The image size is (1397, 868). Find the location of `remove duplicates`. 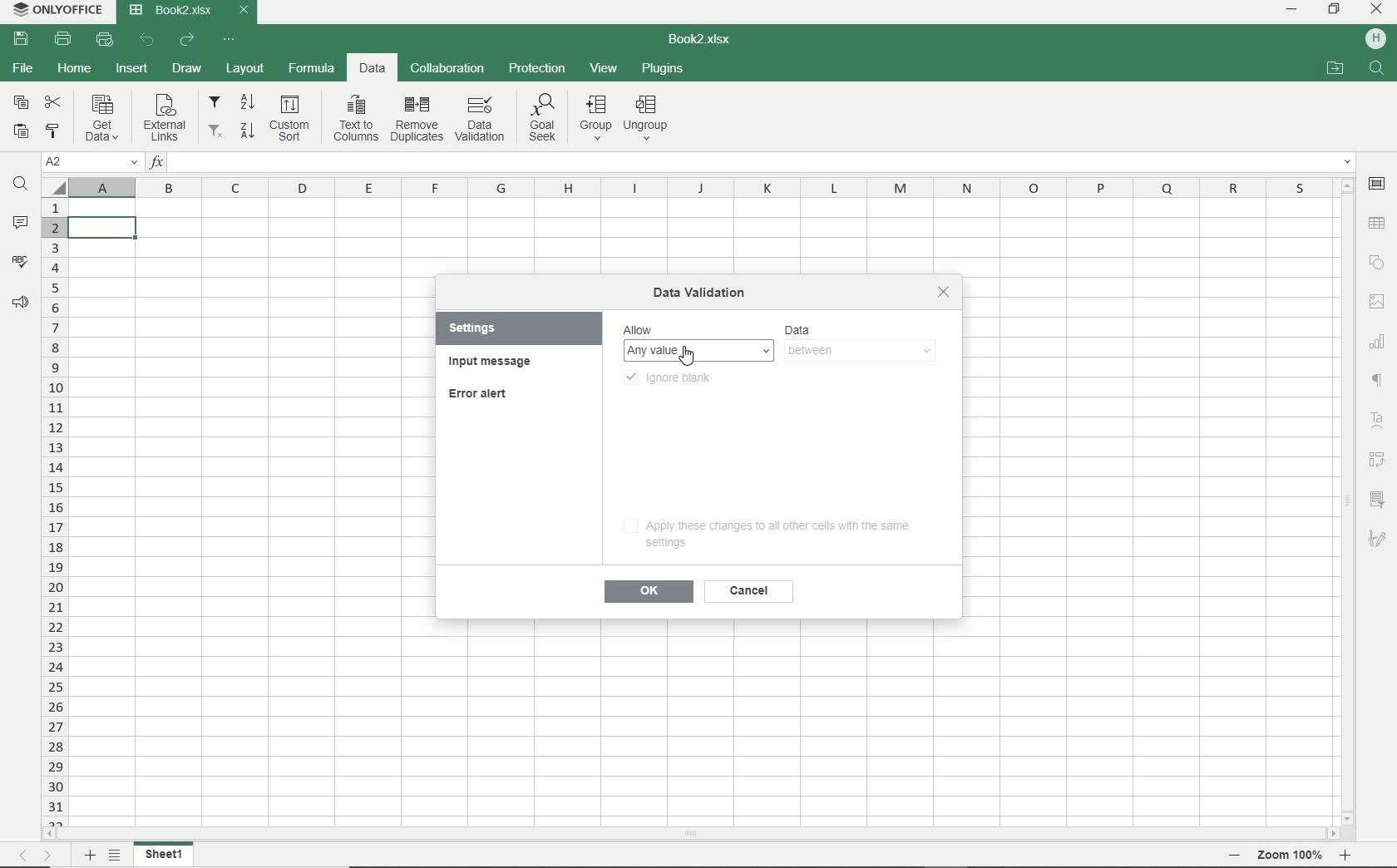

remove duplicates is located at coordinates (418, 116).